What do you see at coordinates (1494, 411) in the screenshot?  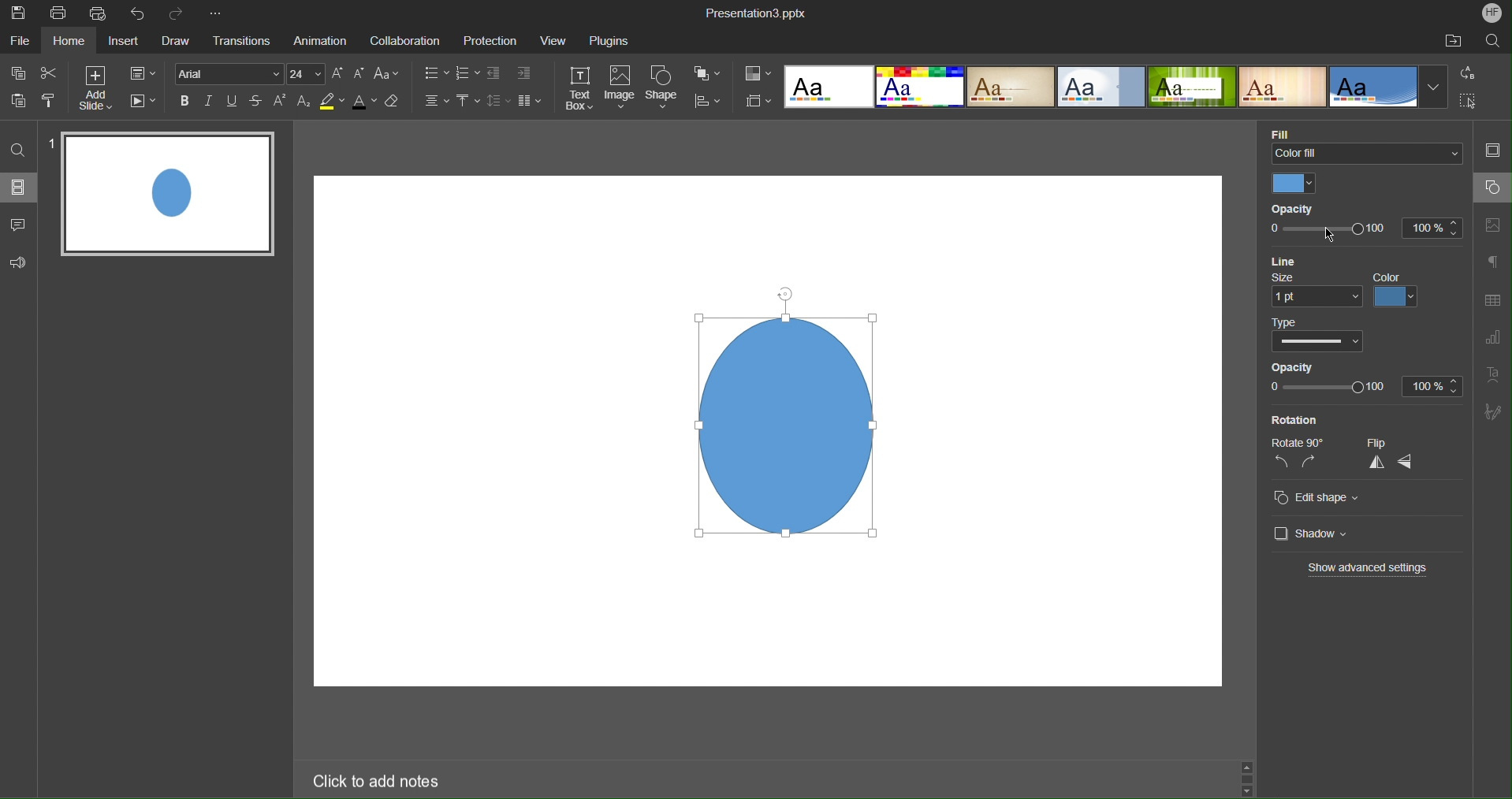 I see `Signature` at bounding box center [1494, 411].